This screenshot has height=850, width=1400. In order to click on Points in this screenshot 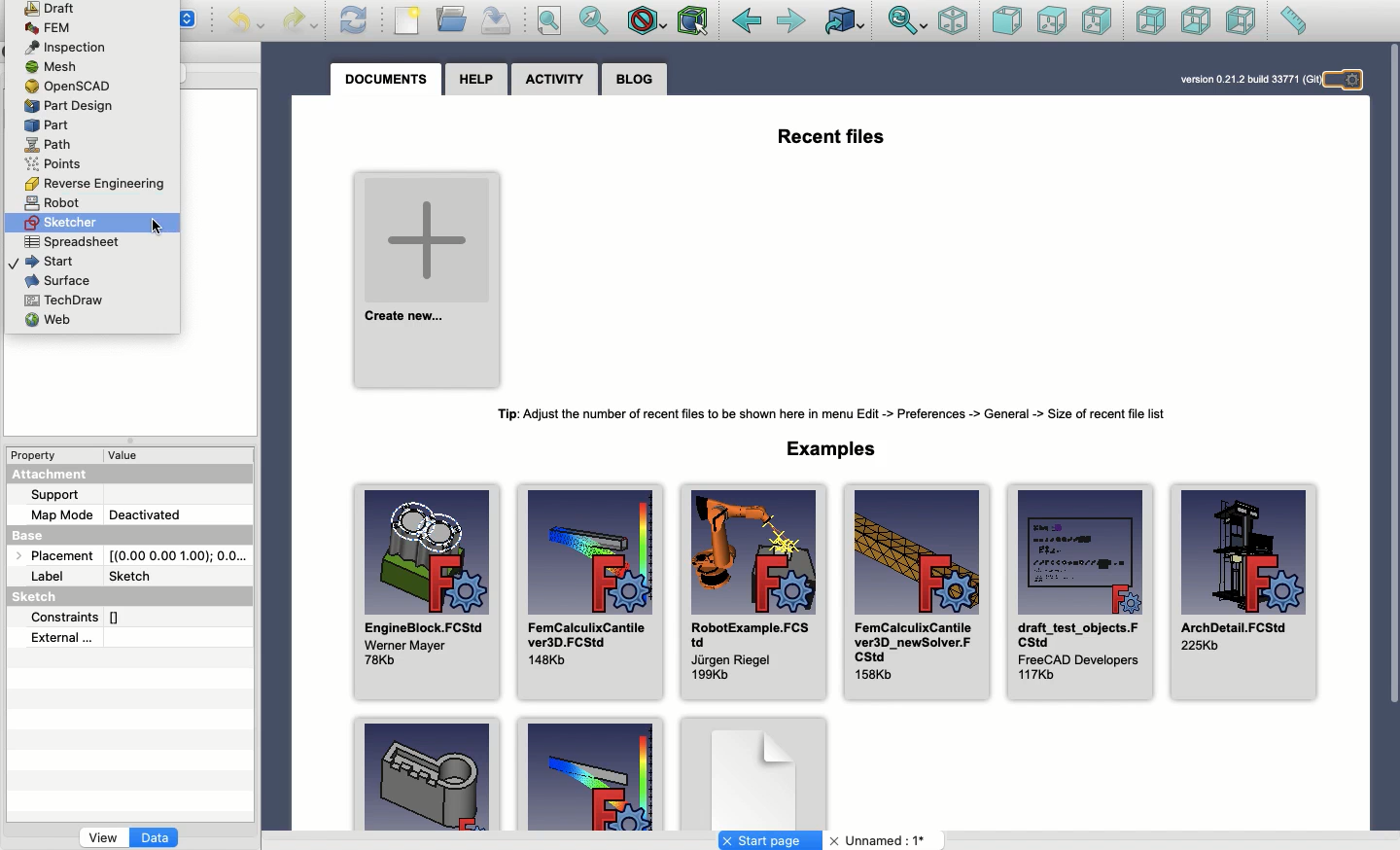, I will do `click(50, 164)`.